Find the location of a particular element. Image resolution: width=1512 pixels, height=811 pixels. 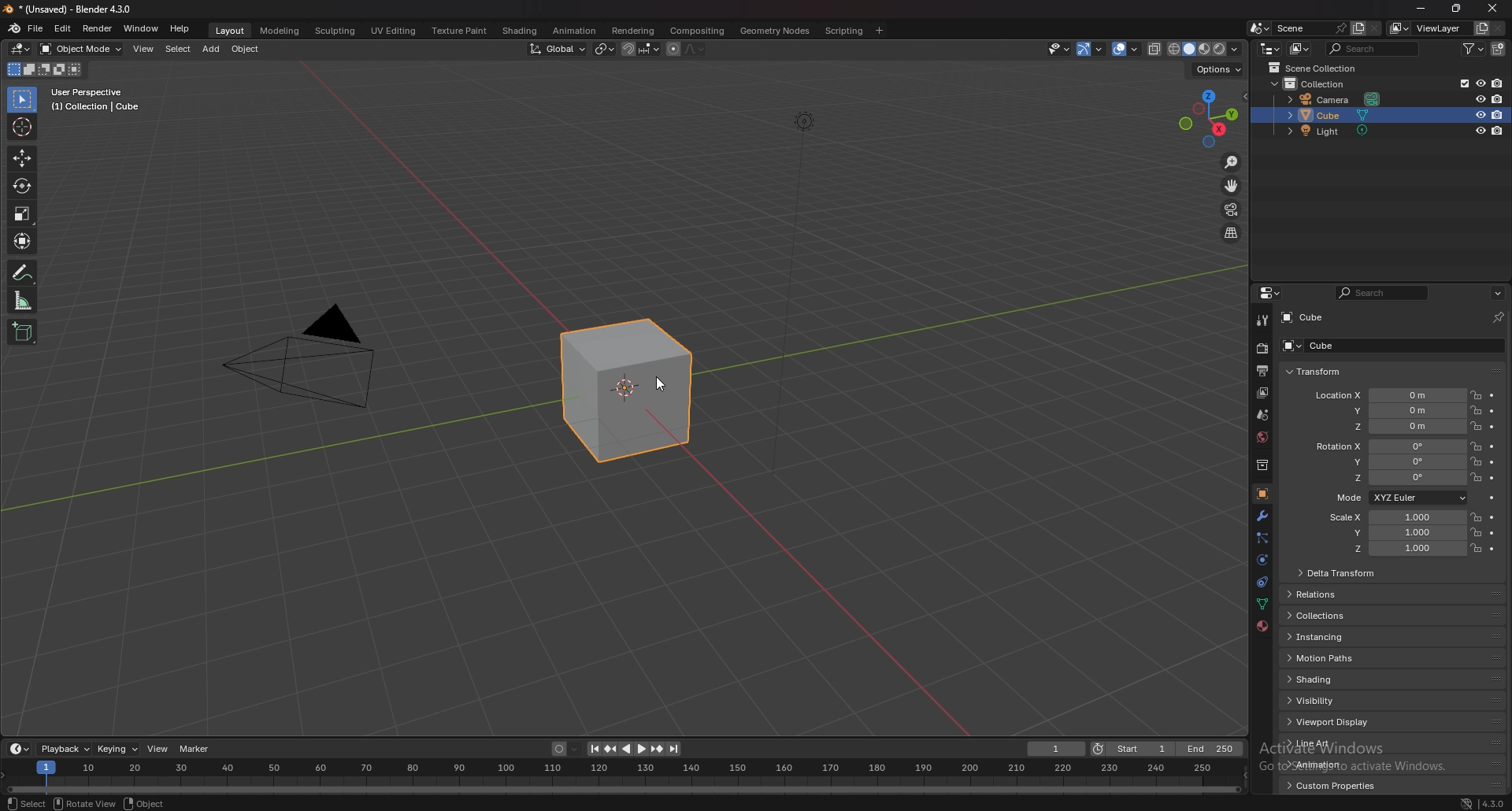

network is located at coordinates (1469, 802).